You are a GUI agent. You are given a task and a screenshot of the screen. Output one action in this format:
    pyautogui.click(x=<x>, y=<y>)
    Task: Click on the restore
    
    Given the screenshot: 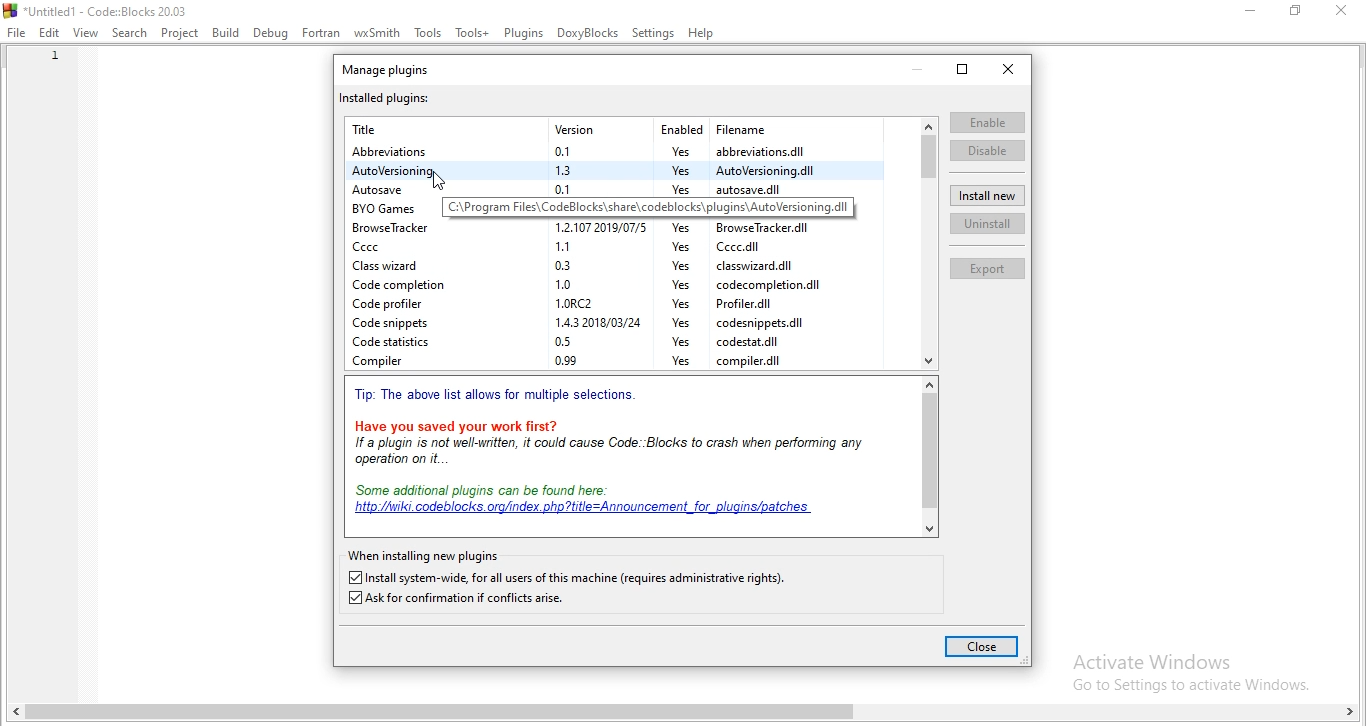 What is the action you would take?
    pyautogui.click(x=1296, y=11)
    